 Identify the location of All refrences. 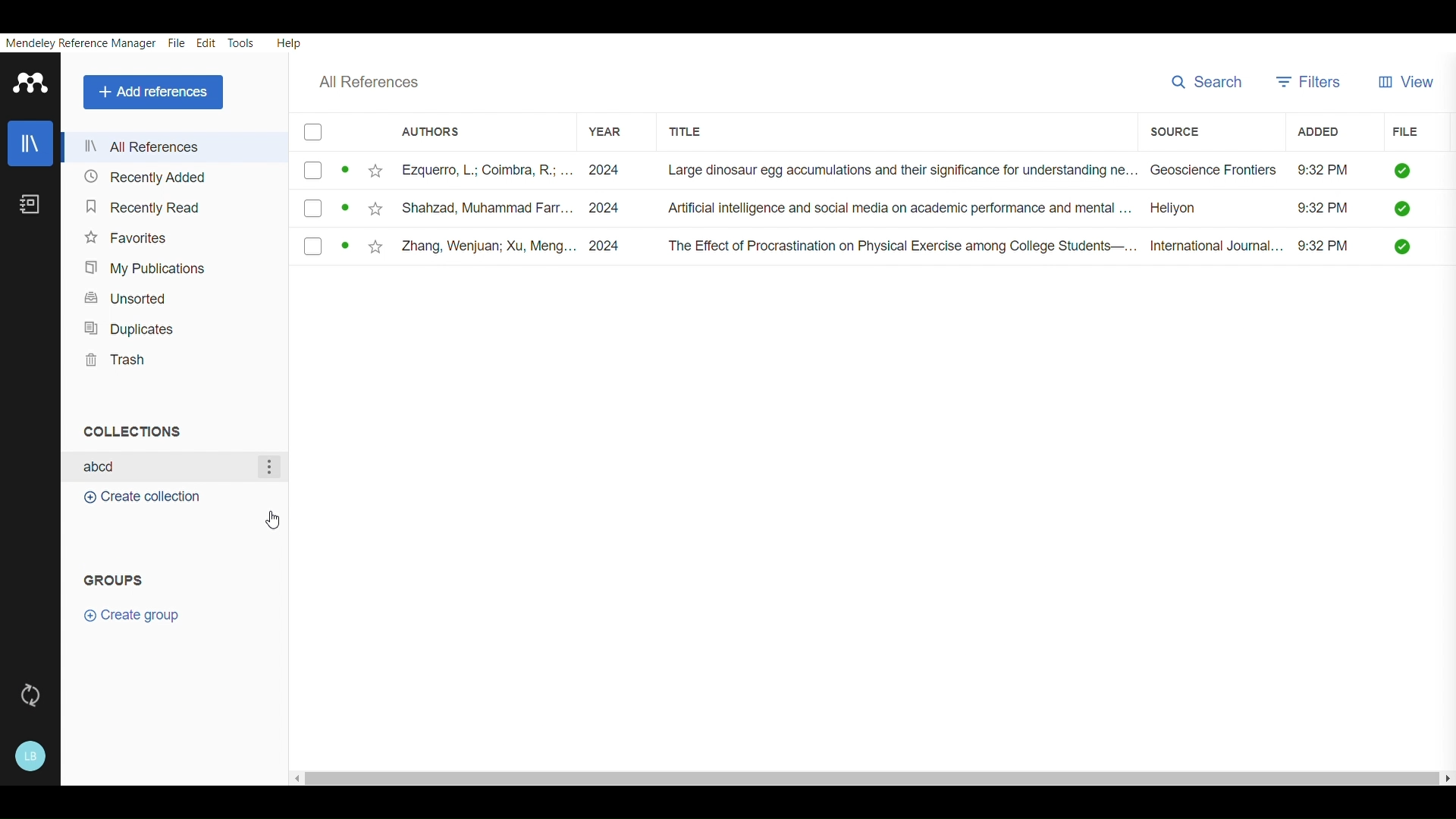
(143, 147).